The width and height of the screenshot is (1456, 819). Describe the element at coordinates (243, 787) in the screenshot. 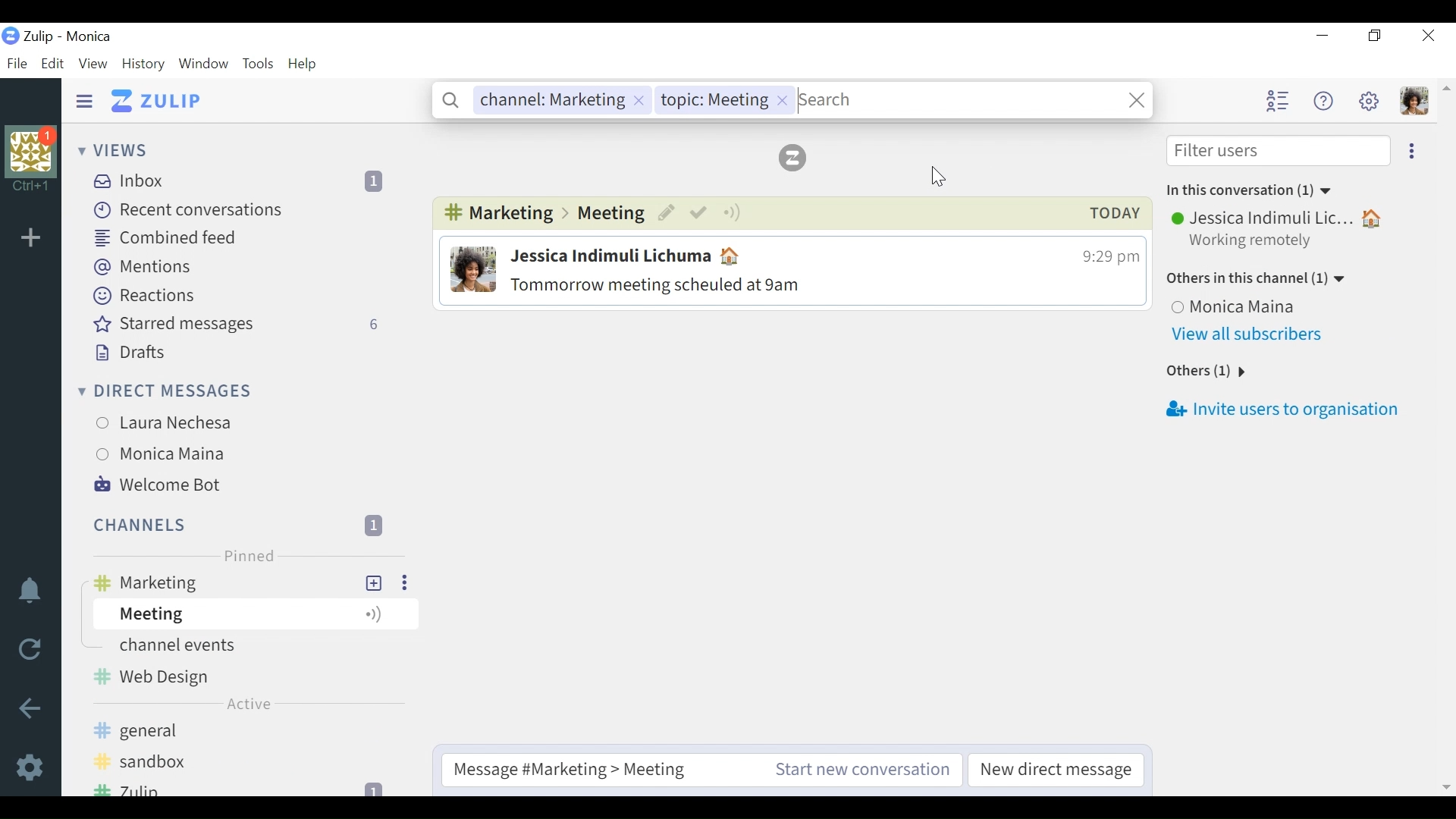

I see `Zulip` at that location.